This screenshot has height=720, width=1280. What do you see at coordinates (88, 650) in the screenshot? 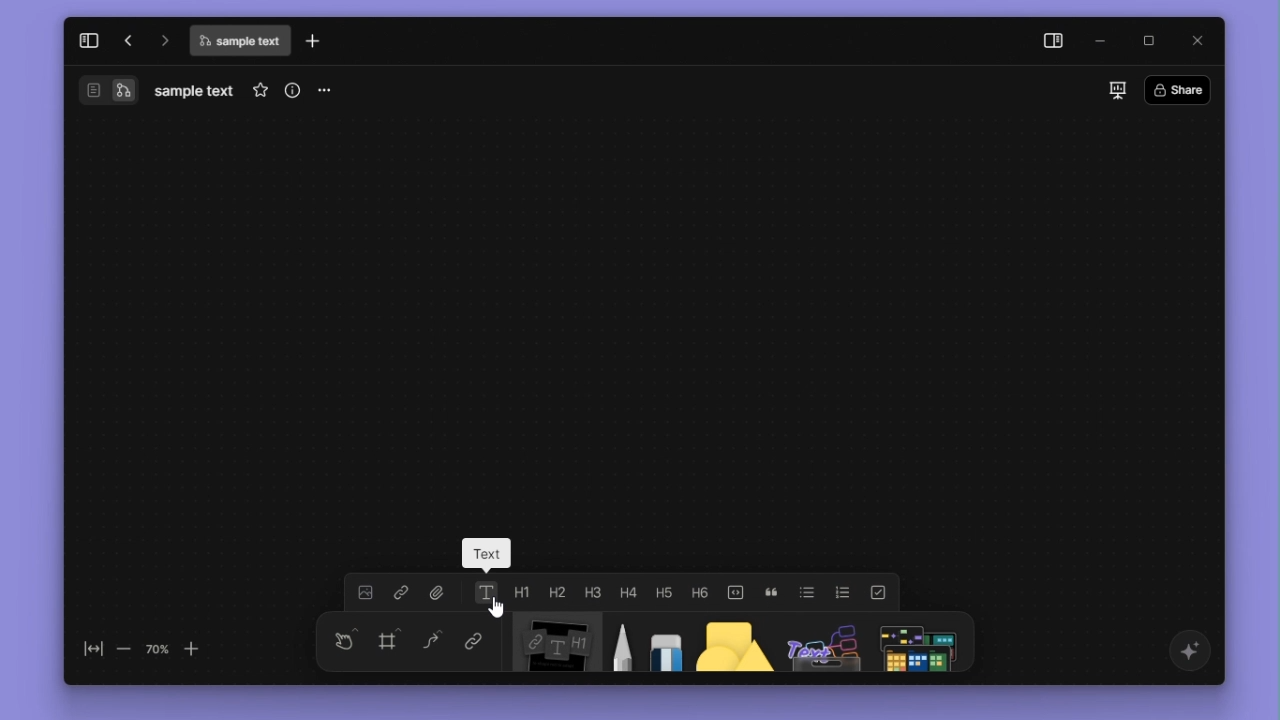
I see `fit to screen` at bounding box center [88, 650].